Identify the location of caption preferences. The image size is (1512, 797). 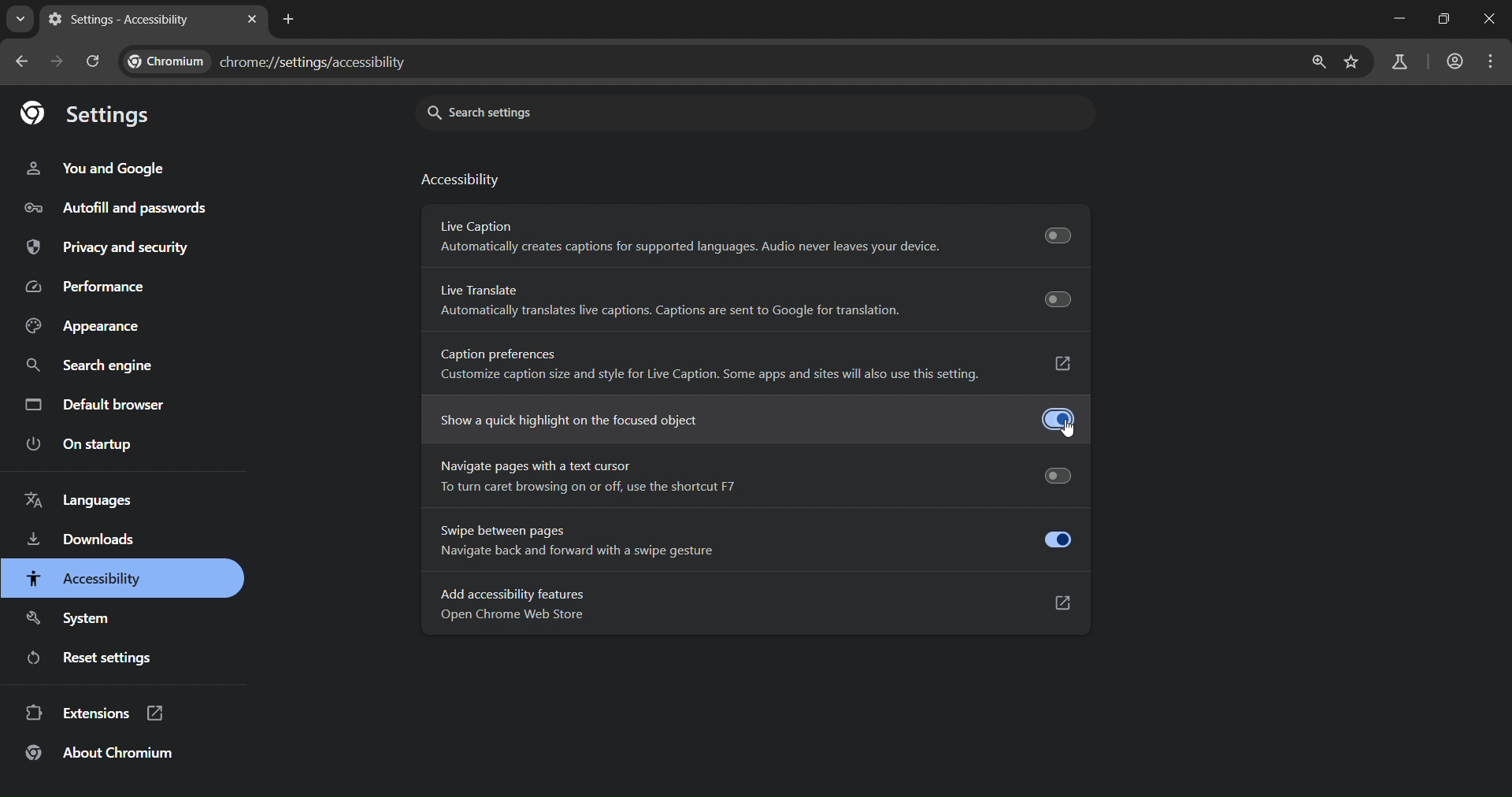
(713, 362).